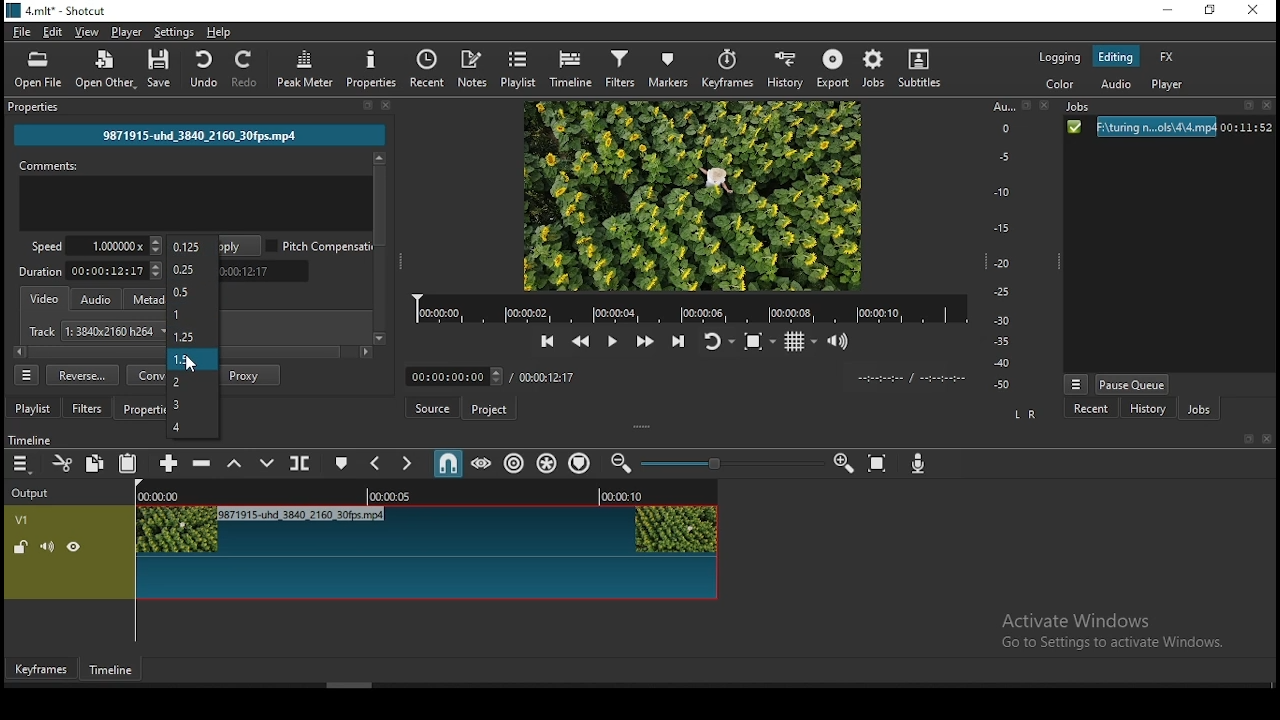  Describe the element at coordinates (1268, 439) in the screenshot. I see `close` at that location.